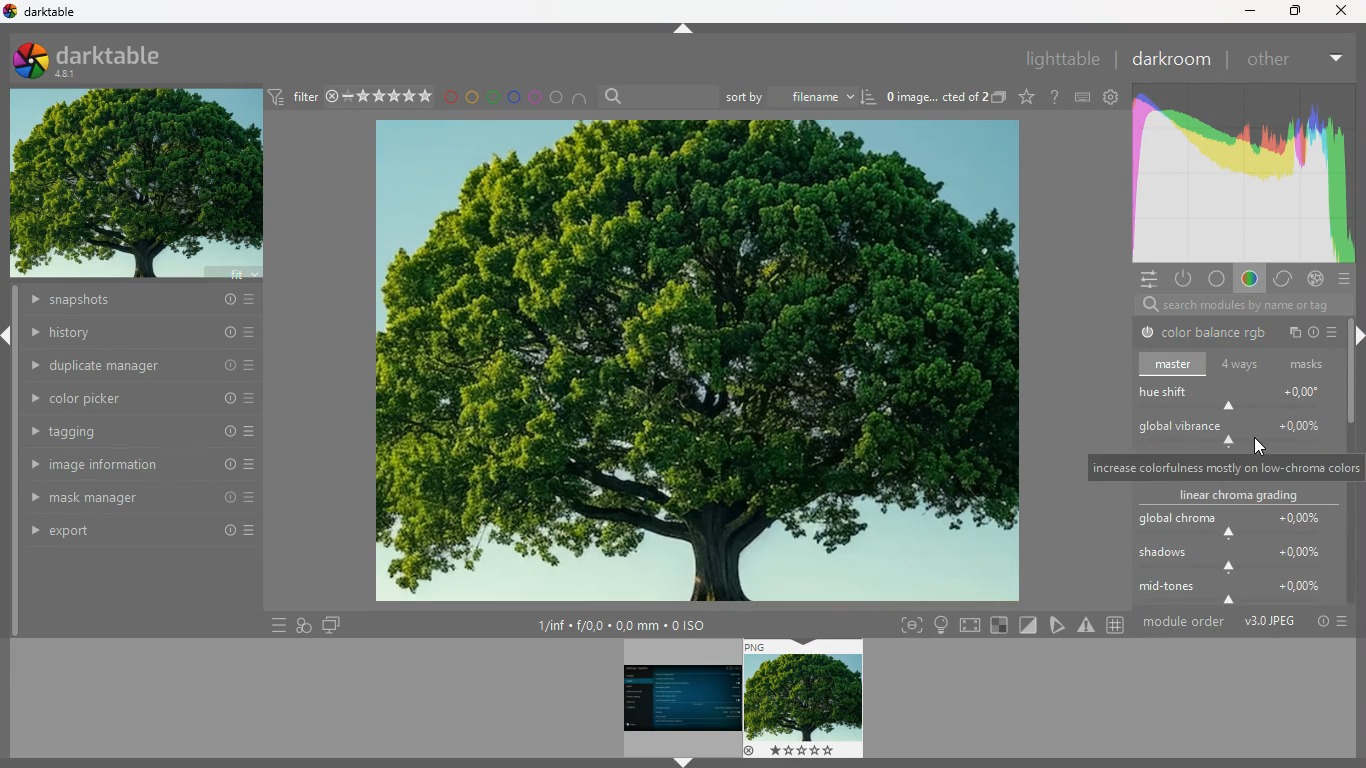 This screenshot has height=768, width=1366. I want to click on menu, so click(274, 625).